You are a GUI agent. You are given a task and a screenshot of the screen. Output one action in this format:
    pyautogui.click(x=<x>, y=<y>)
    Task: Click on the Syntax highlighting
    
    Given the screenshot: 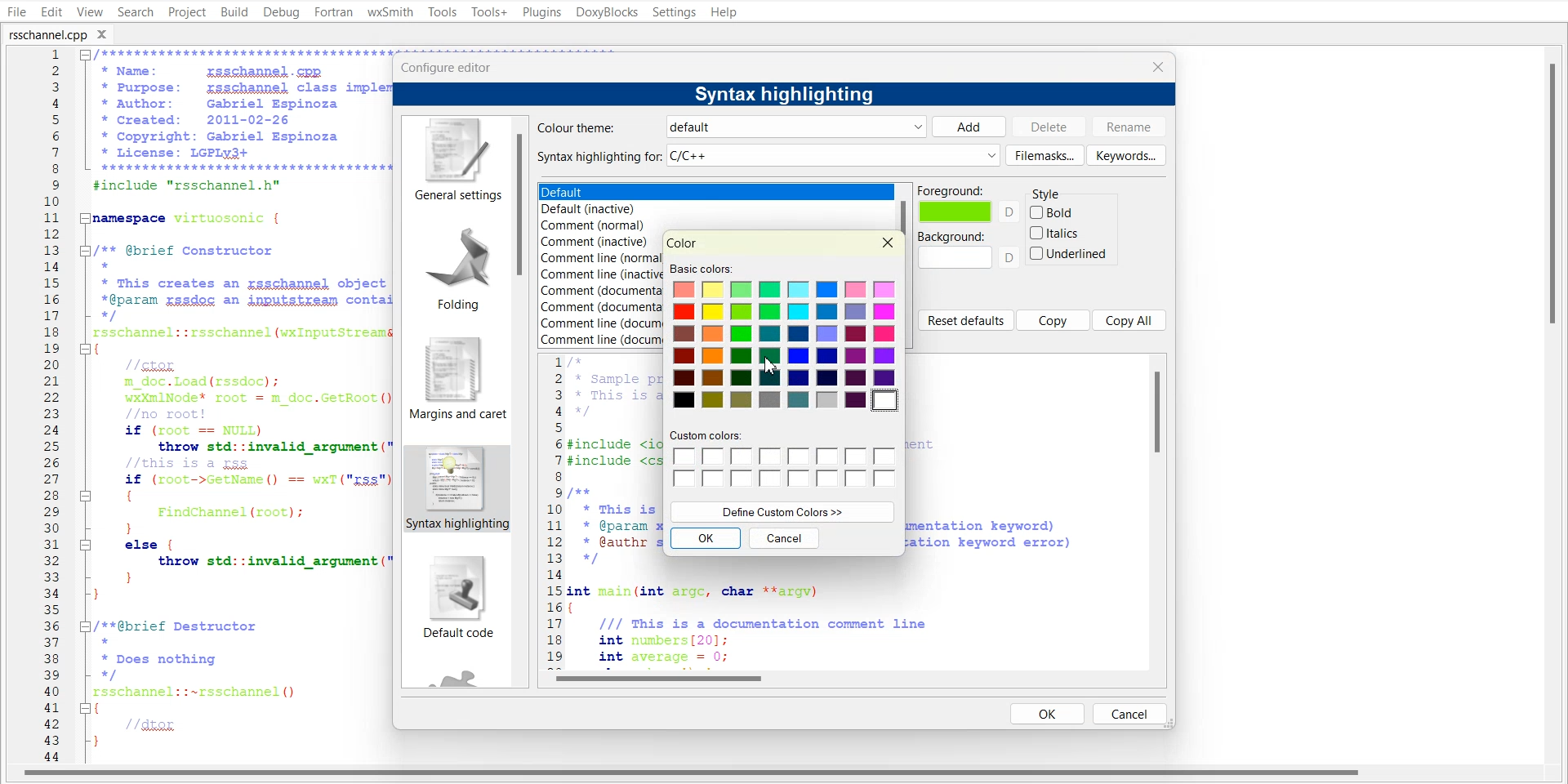 What is the action you would take?
    pyautogui.click(x=788, y=93)
    